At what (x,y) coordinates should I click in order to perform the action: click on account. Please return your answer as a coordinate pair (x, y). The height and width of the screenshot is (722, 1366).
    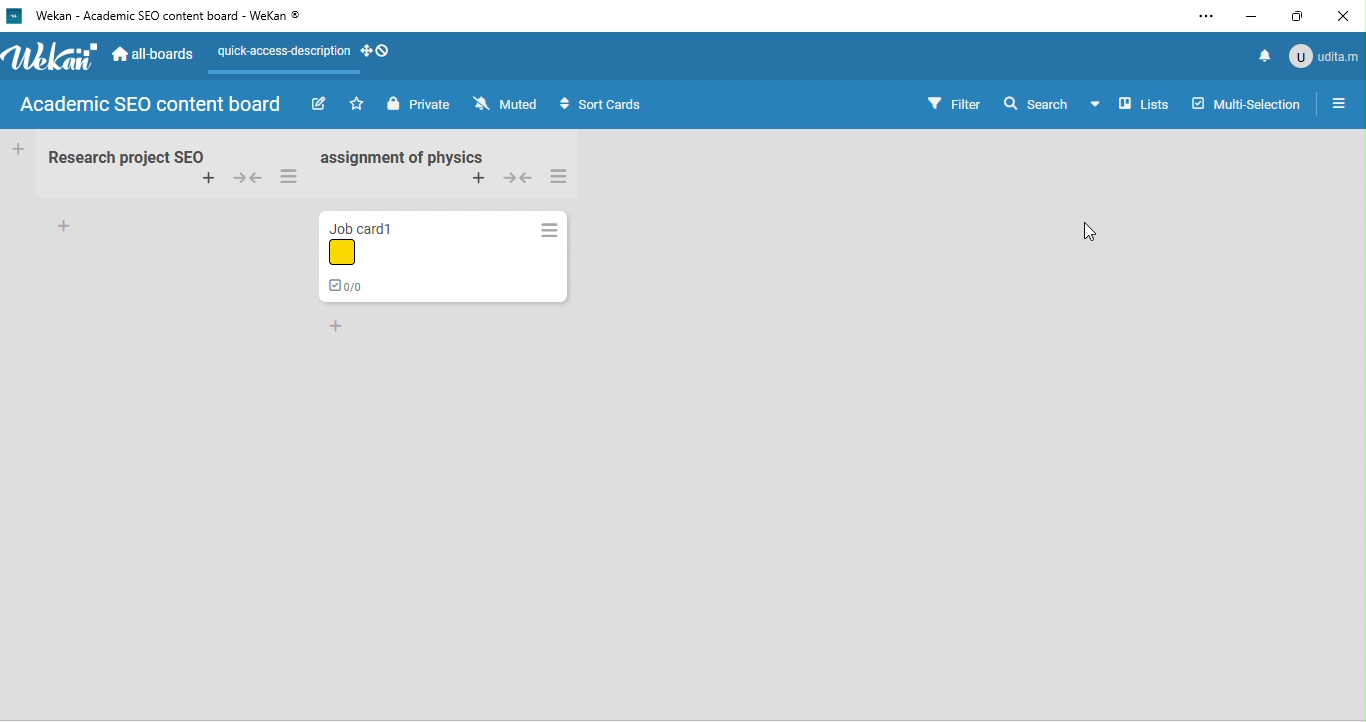
    Looking at the image, I should click on (1324, 57).